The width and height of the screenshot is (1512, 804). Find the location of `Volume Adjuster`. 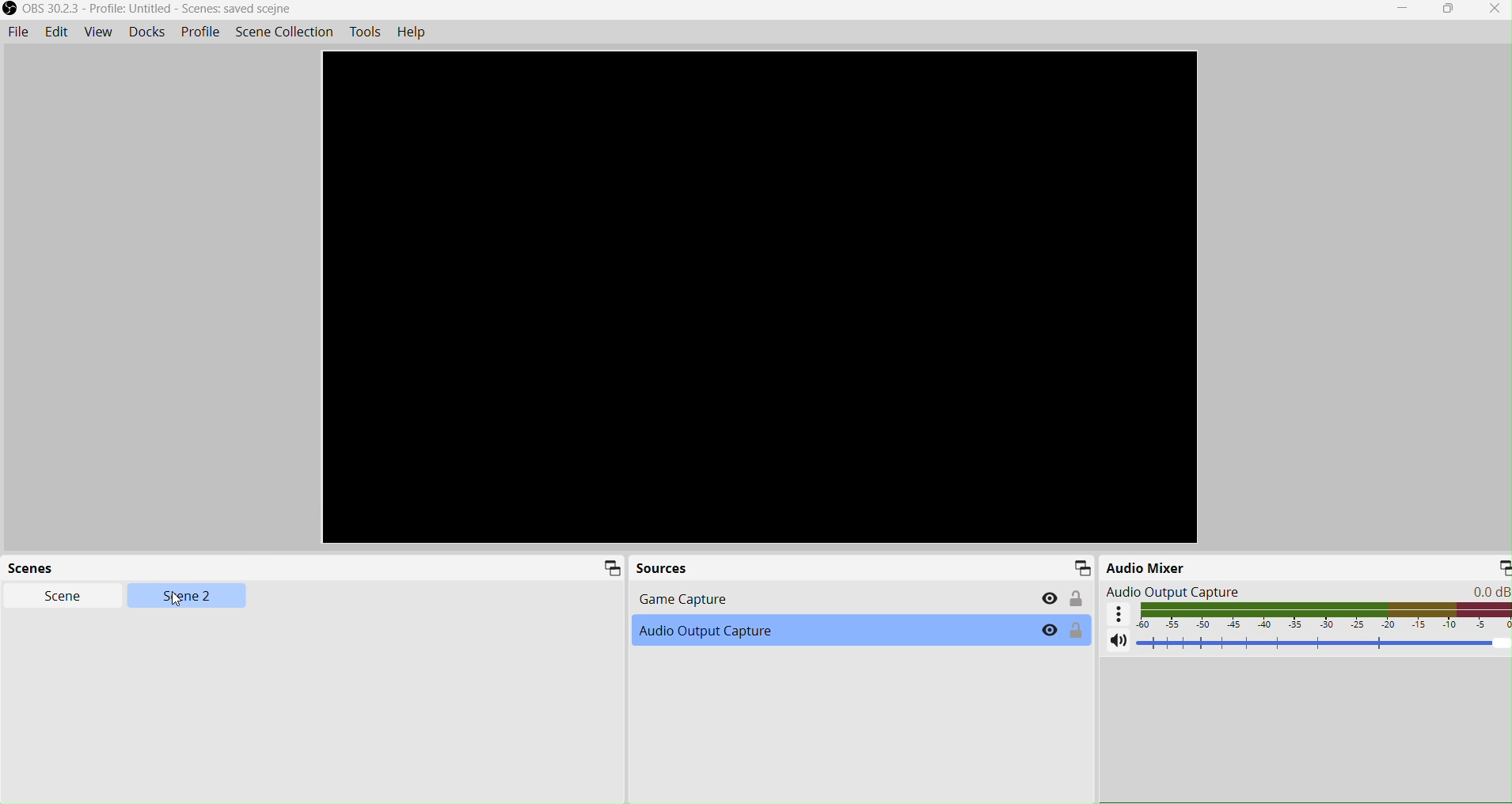

Volume Adjuster is located at coordinates (1323, 643).